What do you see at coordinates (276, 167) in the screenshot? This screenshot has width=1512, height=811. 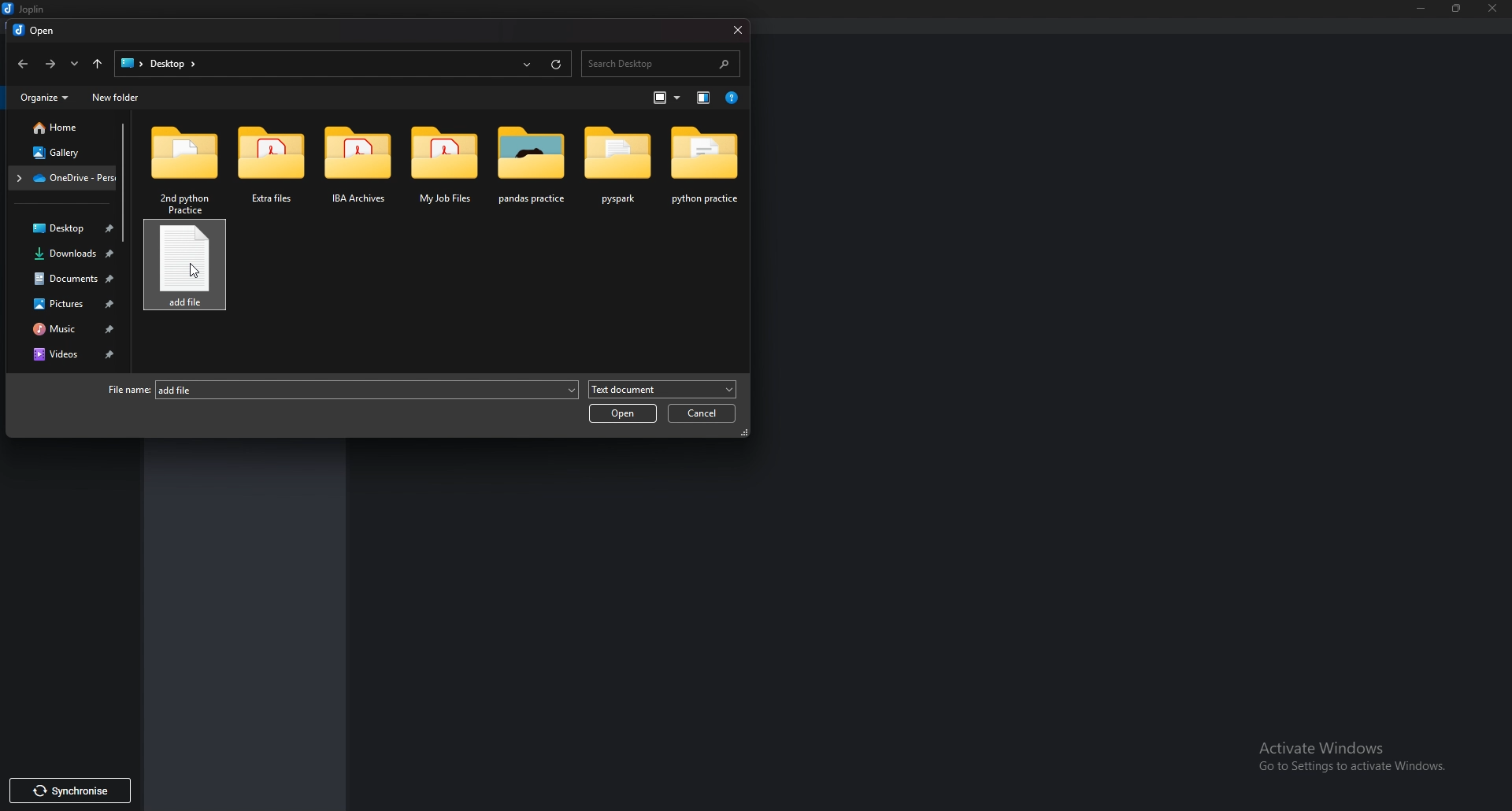 I see `Folder` at bounding box center [276, 167].